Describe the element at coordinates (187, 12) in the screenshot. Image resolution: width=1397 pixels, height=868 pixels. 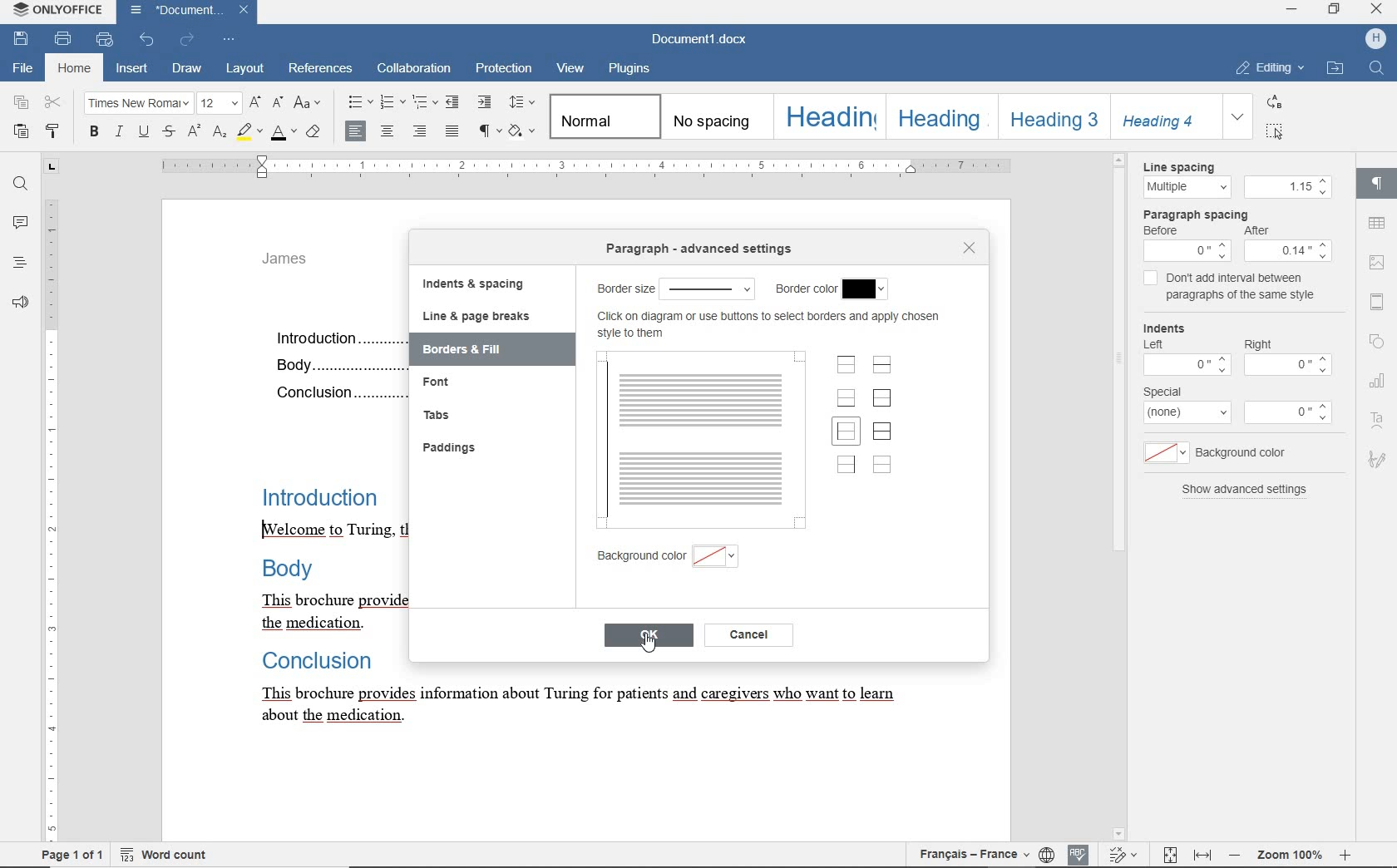
I see `document name` at that location.